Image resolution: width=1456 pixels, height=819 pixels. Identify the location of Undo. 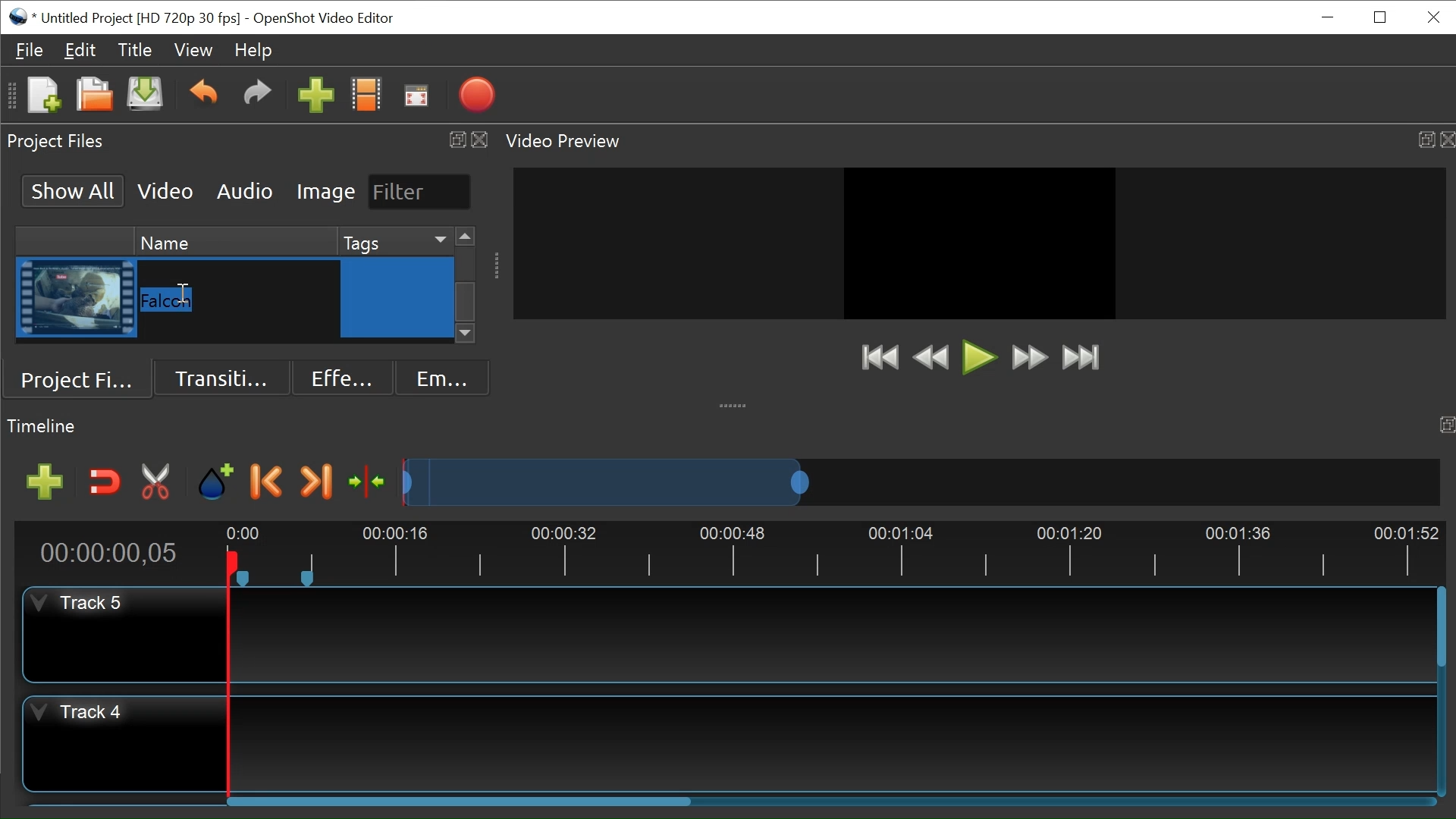
(203, 95).